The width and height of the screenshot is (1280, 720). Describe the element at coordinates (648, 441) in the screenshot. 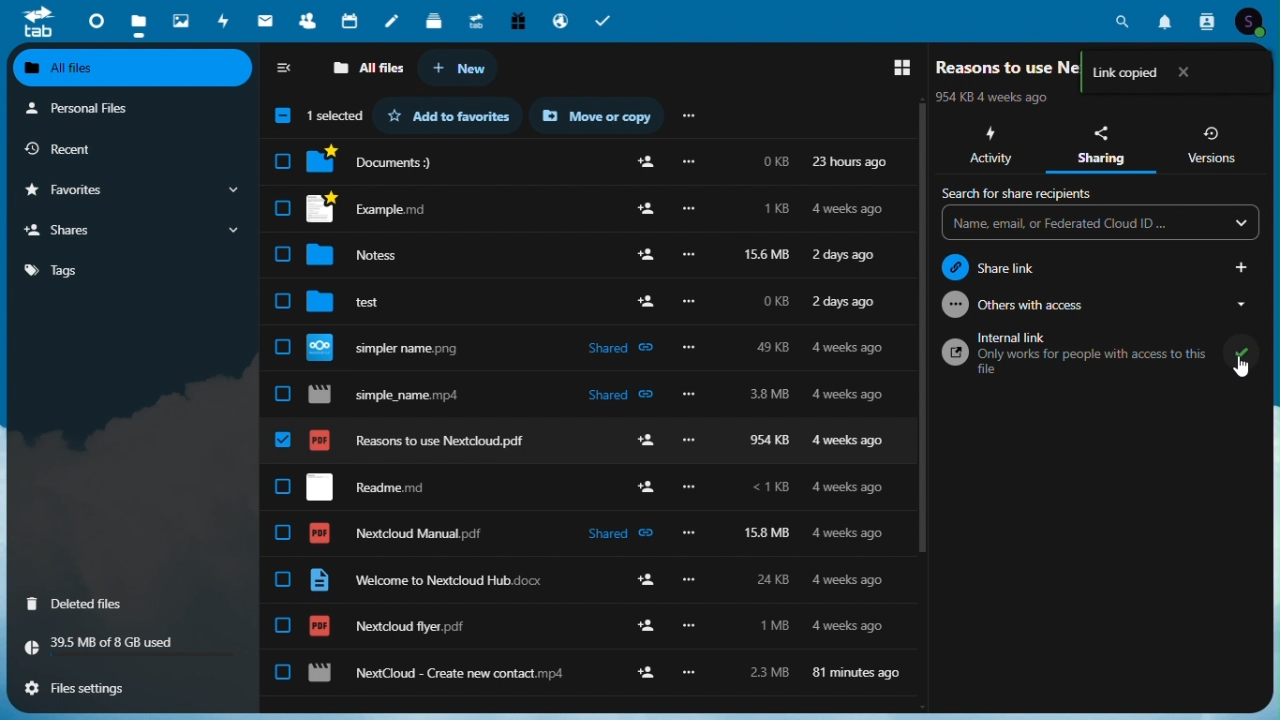

I see ` add user` at that location.